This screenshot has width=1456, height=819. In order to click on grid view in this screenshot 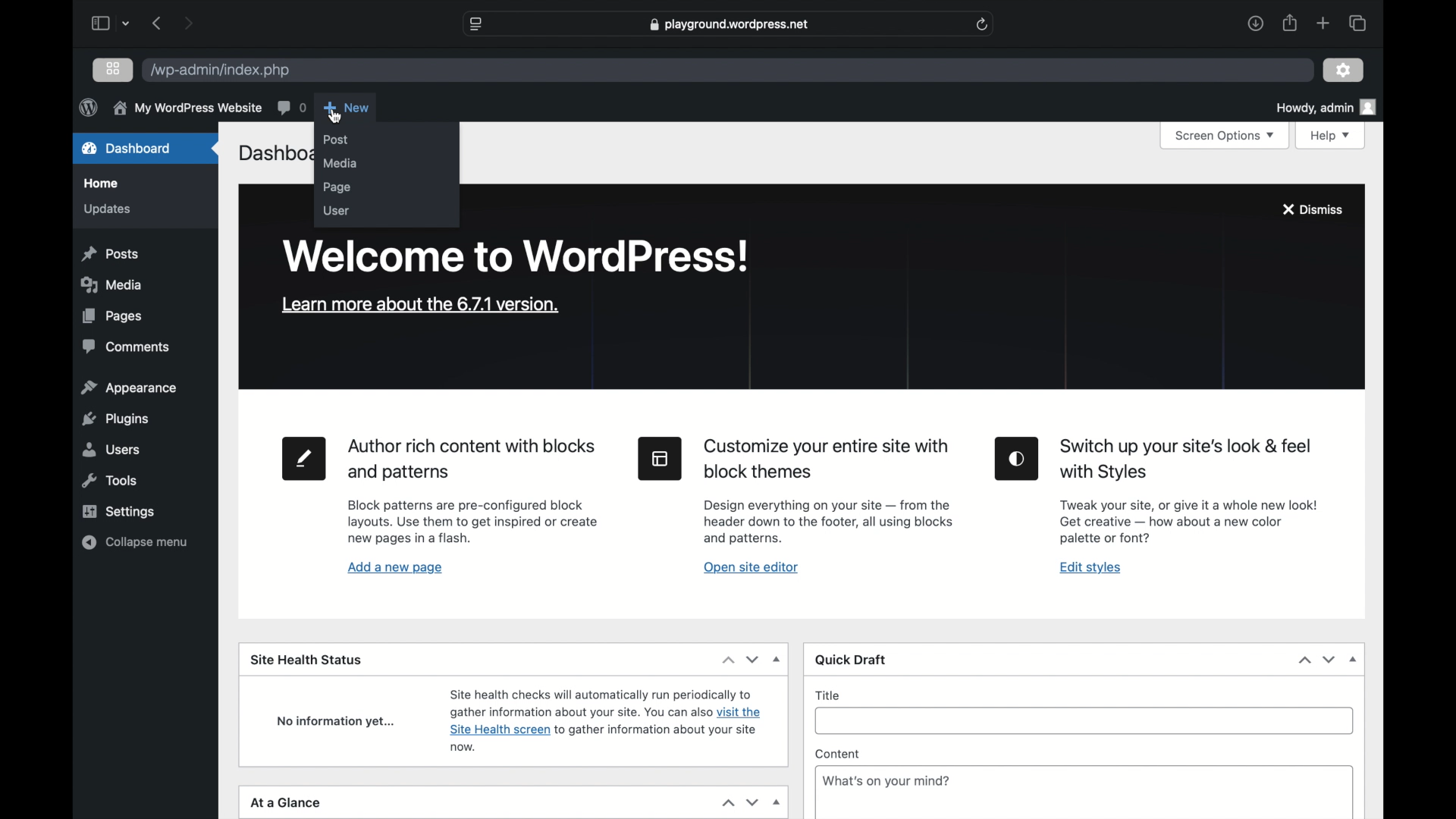, I will do `click(112, 68)`.